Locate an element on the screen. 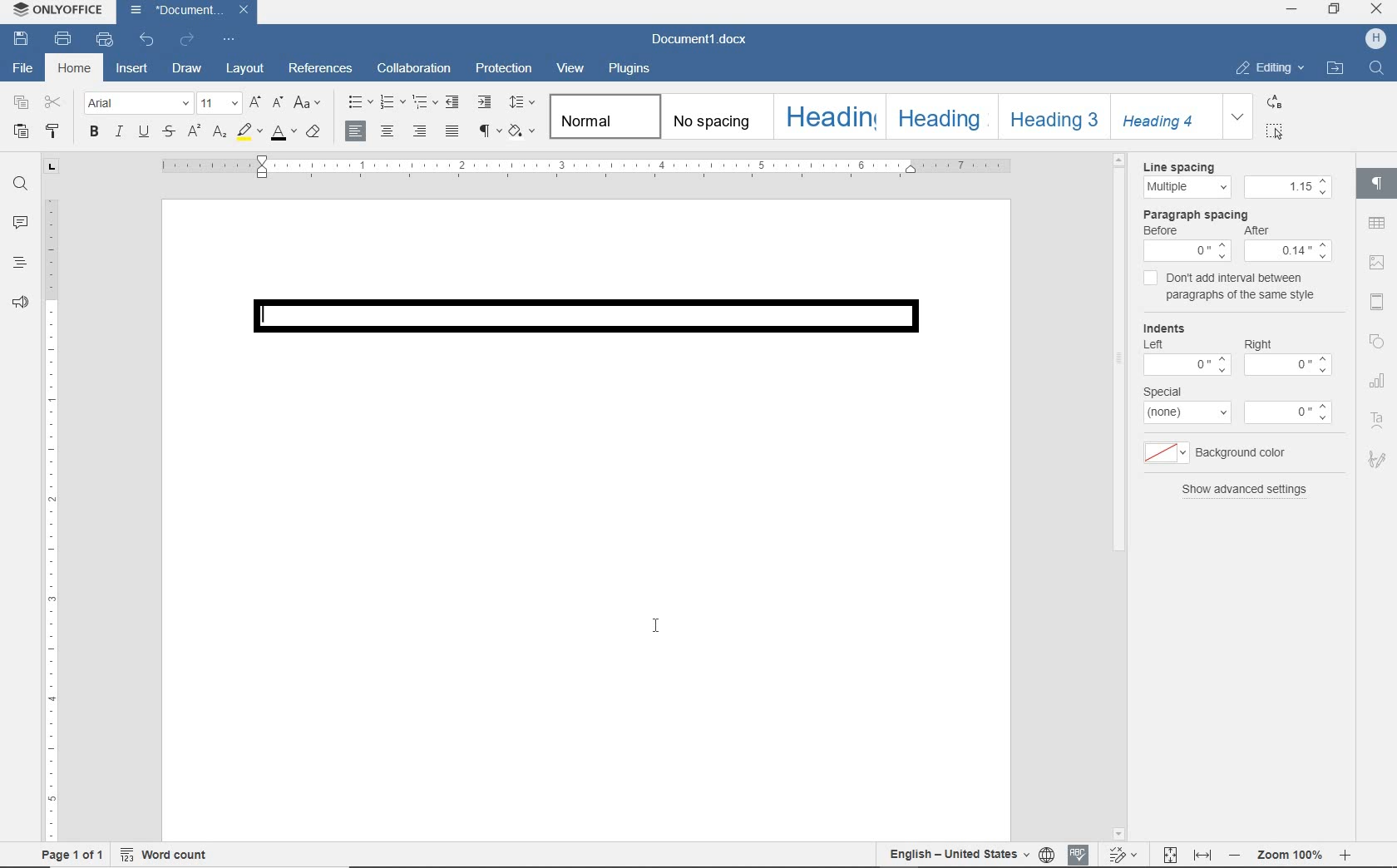  font size is located at coordinates (219, 105).